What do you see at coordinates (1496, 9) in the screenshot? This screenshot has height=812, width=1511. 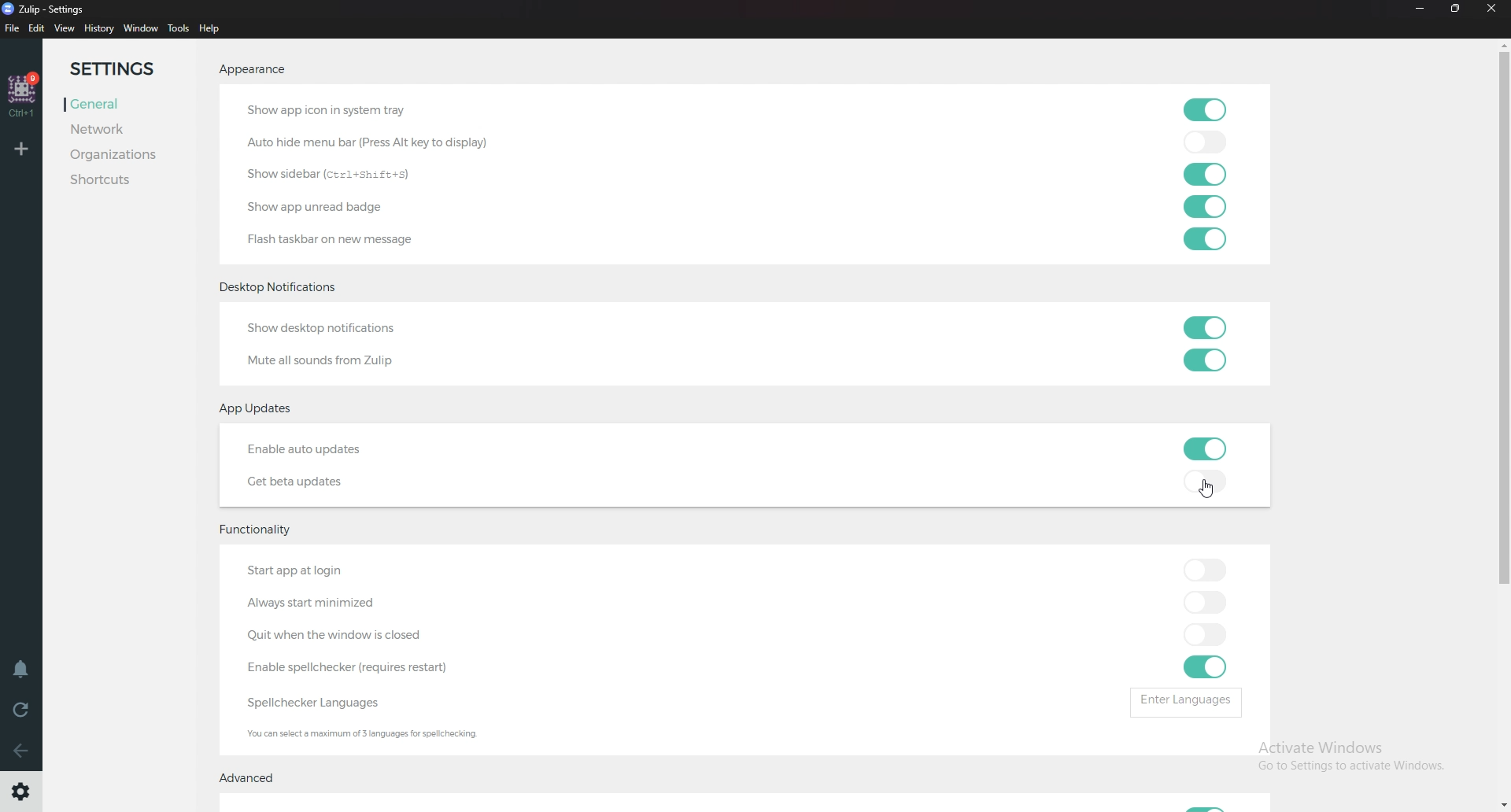 I see `Close` at bounding box center [1496, 9].